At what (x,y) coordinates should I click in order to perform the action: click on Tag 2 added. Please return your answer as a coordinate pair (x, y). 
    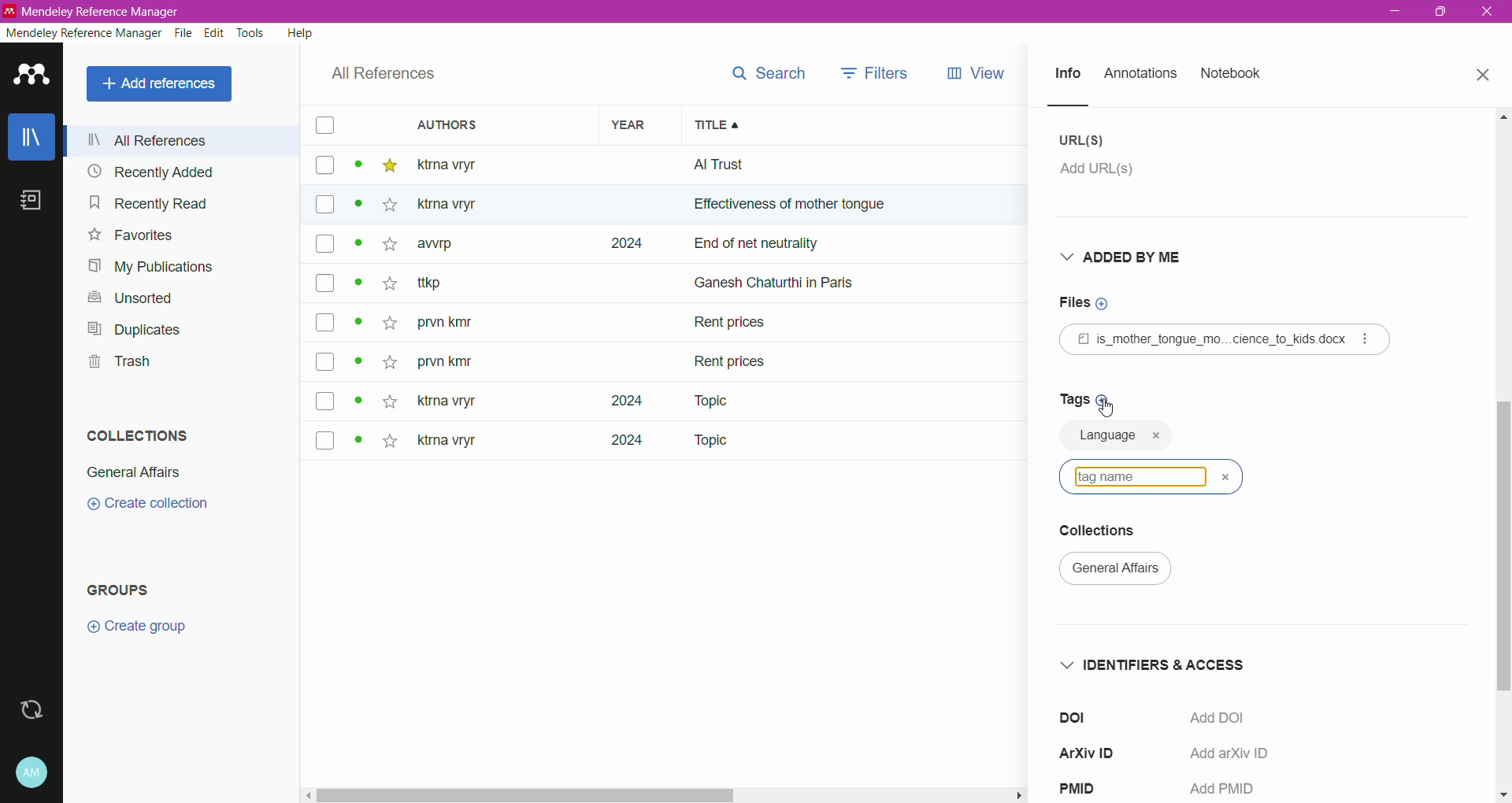
    Looking at the image, I should click on (1234, 437).